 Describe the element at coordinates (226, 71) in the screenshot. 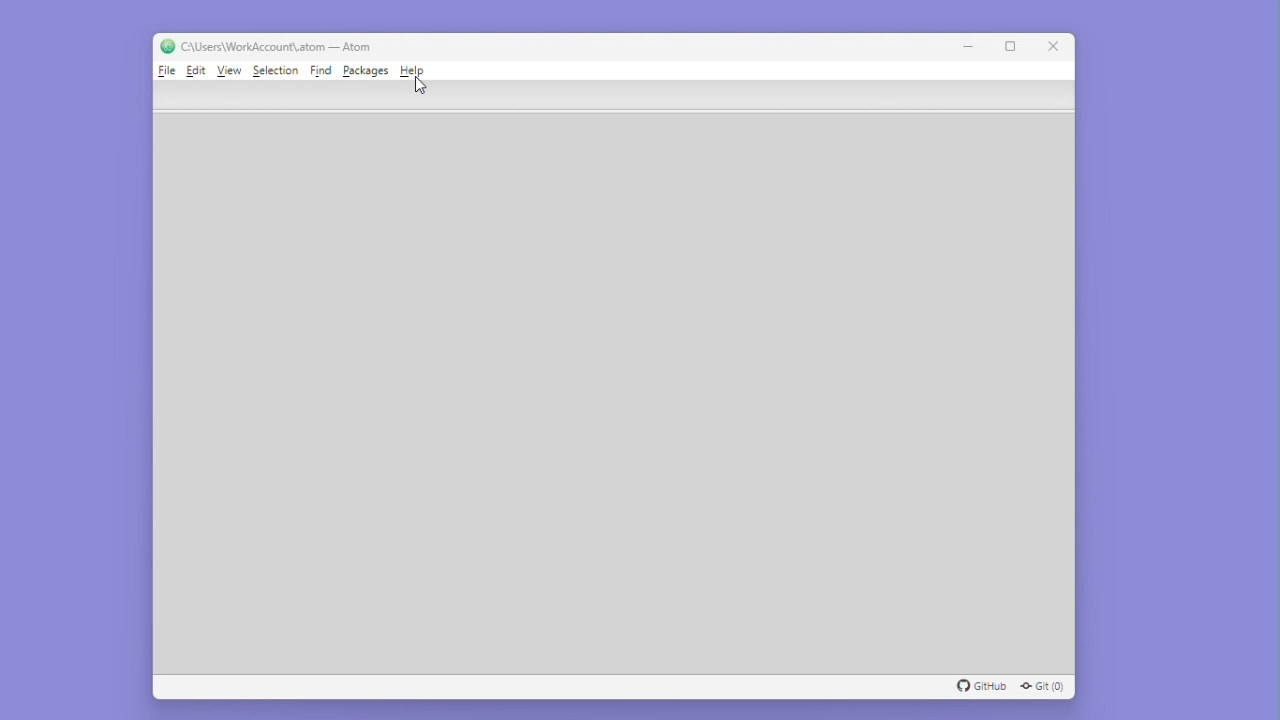

I see `View ` at that location.